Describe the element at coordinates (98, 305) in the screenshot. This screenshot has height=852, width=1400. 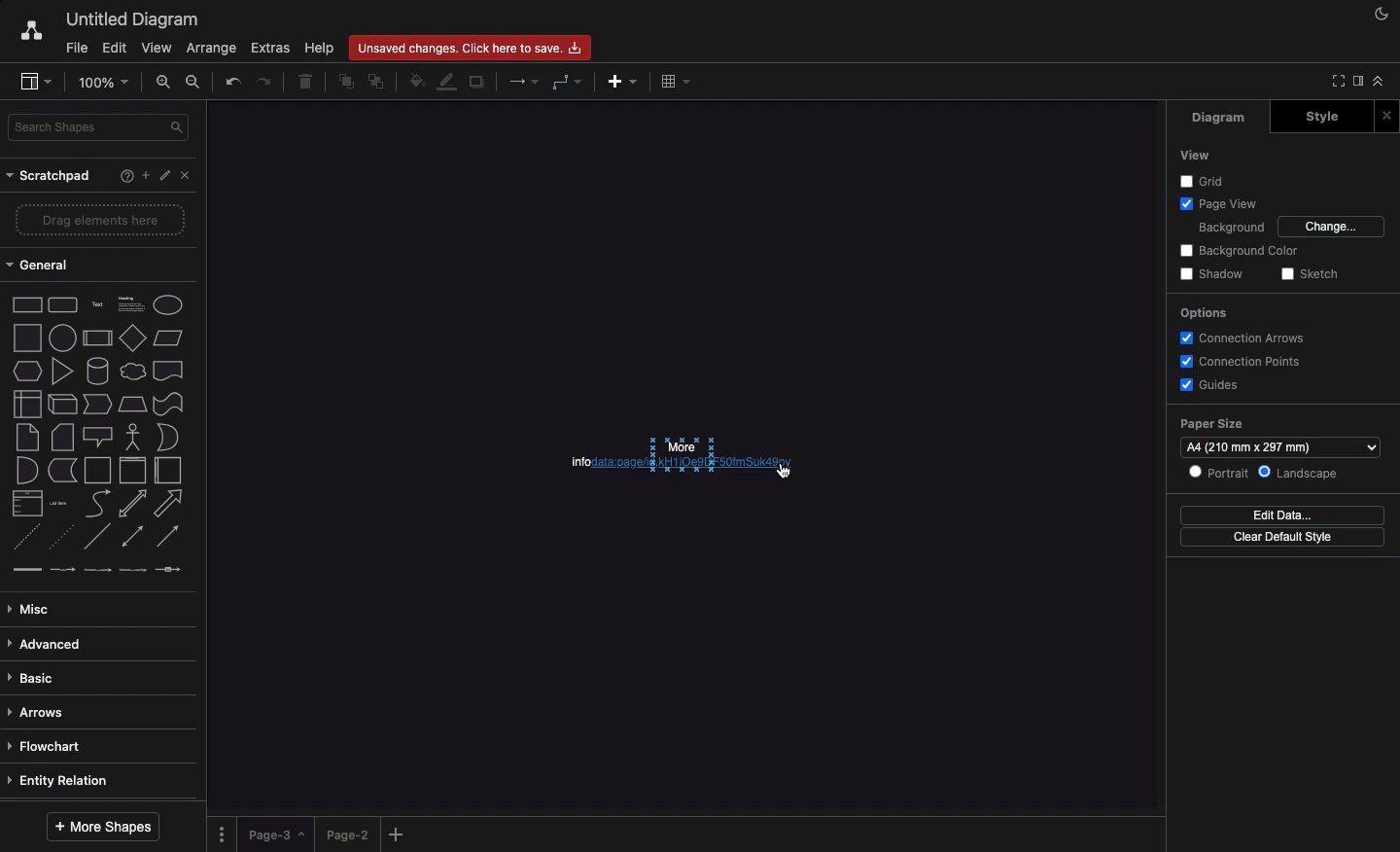
I see `text` at that location.